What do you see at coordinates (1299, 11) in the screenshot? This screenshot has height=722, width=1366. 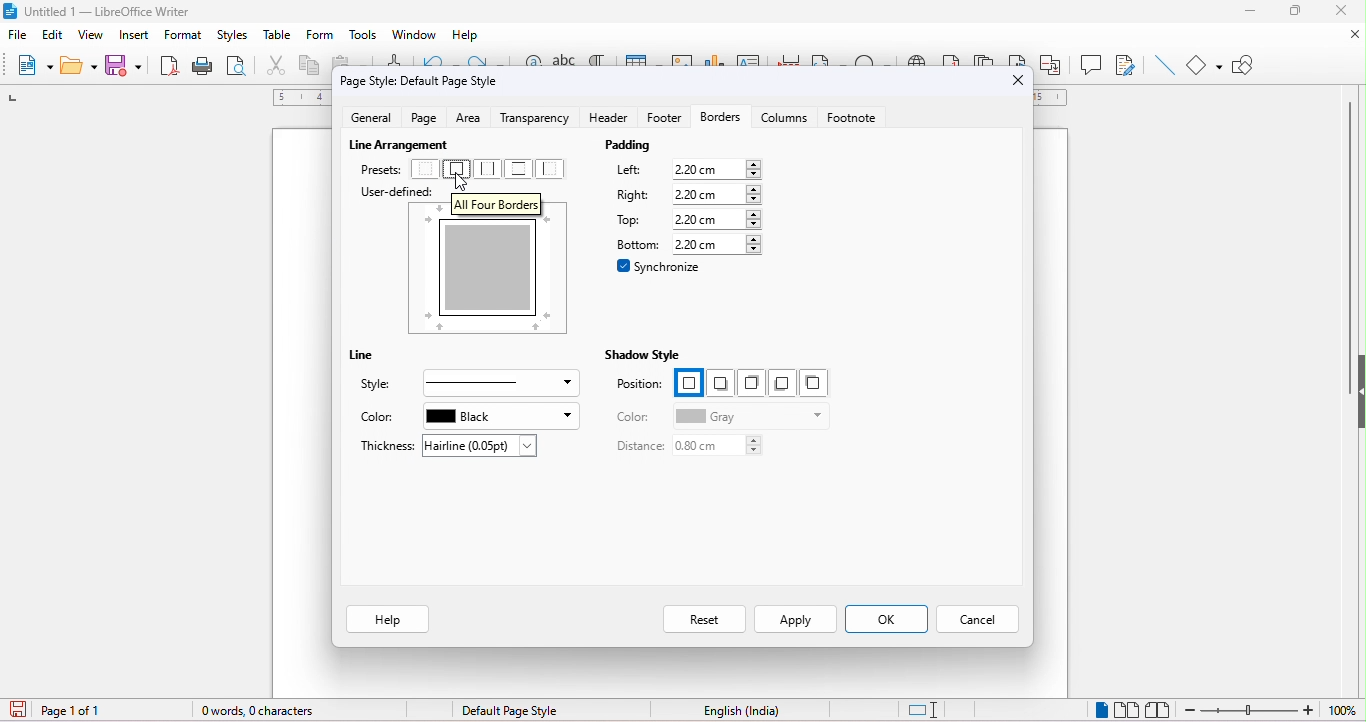 I see `maximize` at bounding box center [1299, 11].